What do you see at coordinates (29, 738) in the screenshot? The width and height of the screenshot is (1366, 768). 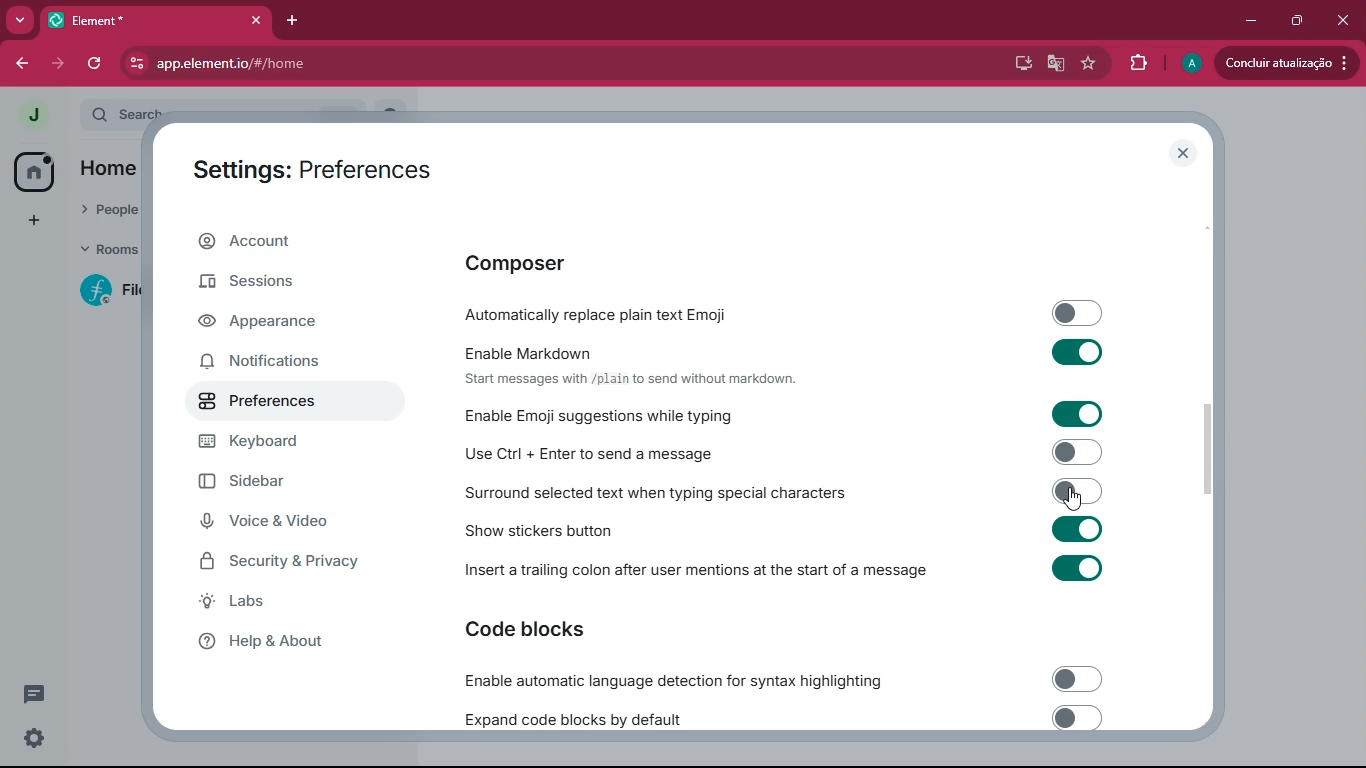 I see `settings` at bounding box center [29, 738].